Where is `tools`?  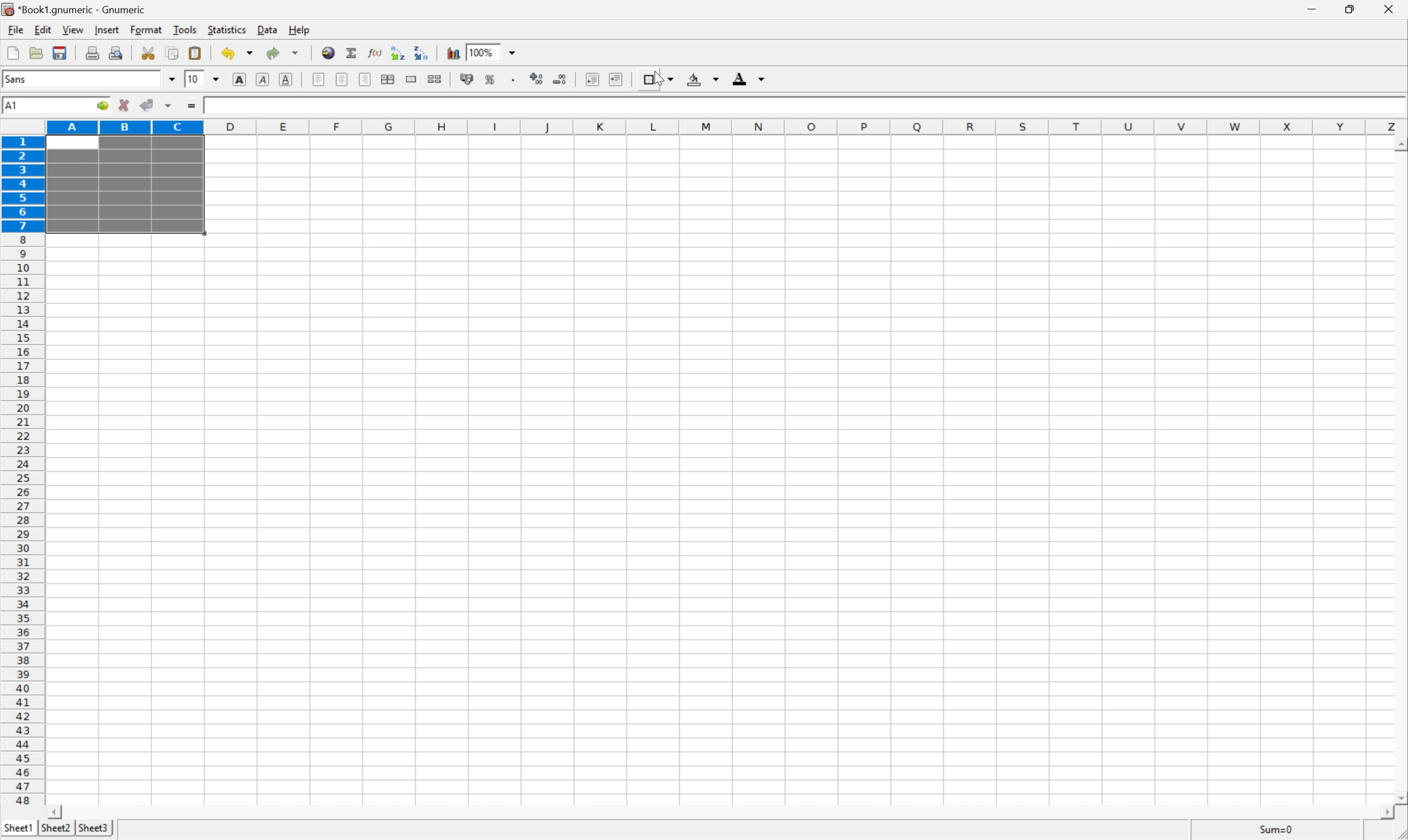
tools is located at coordinates (184, 31).